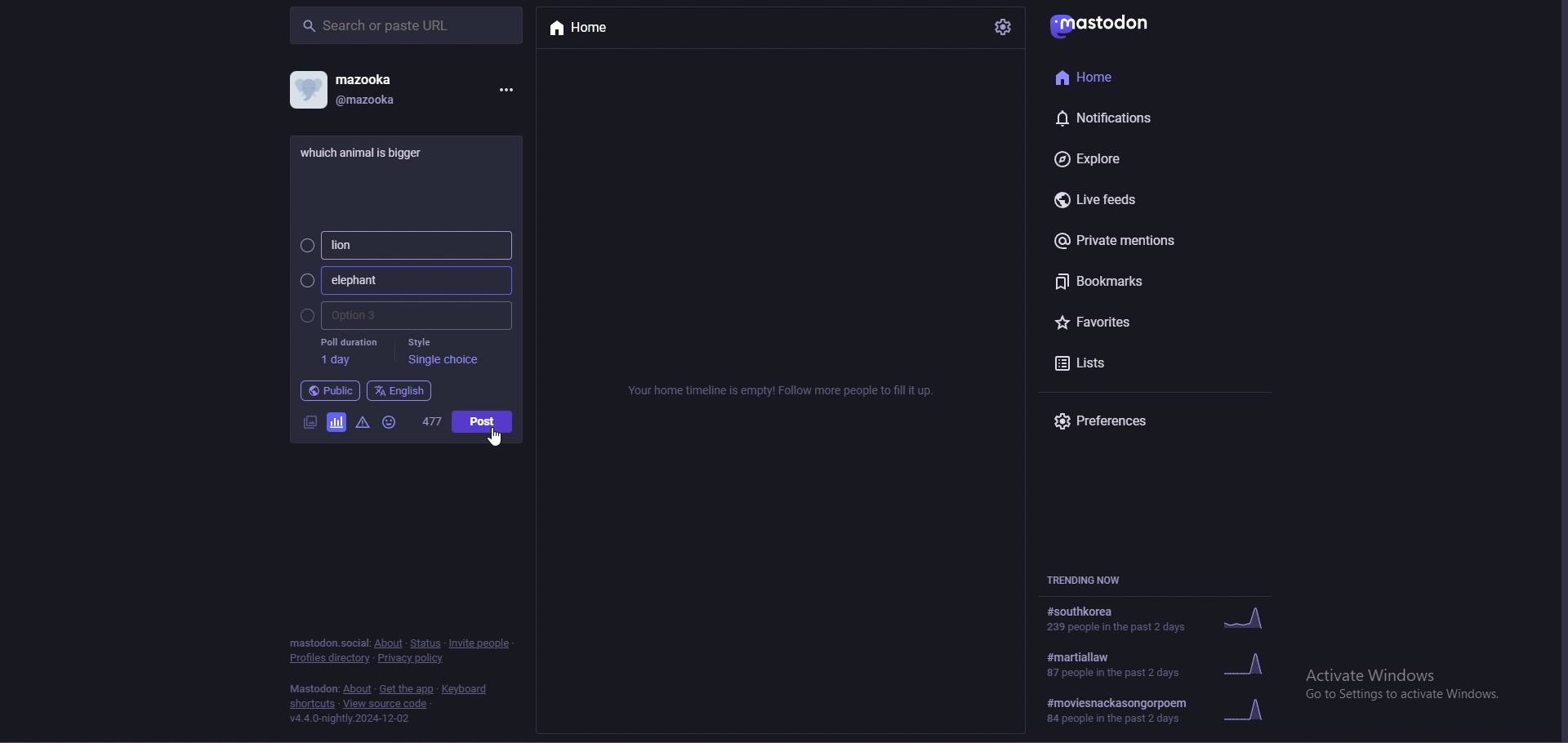  I want to click on status, so click(426, 643).